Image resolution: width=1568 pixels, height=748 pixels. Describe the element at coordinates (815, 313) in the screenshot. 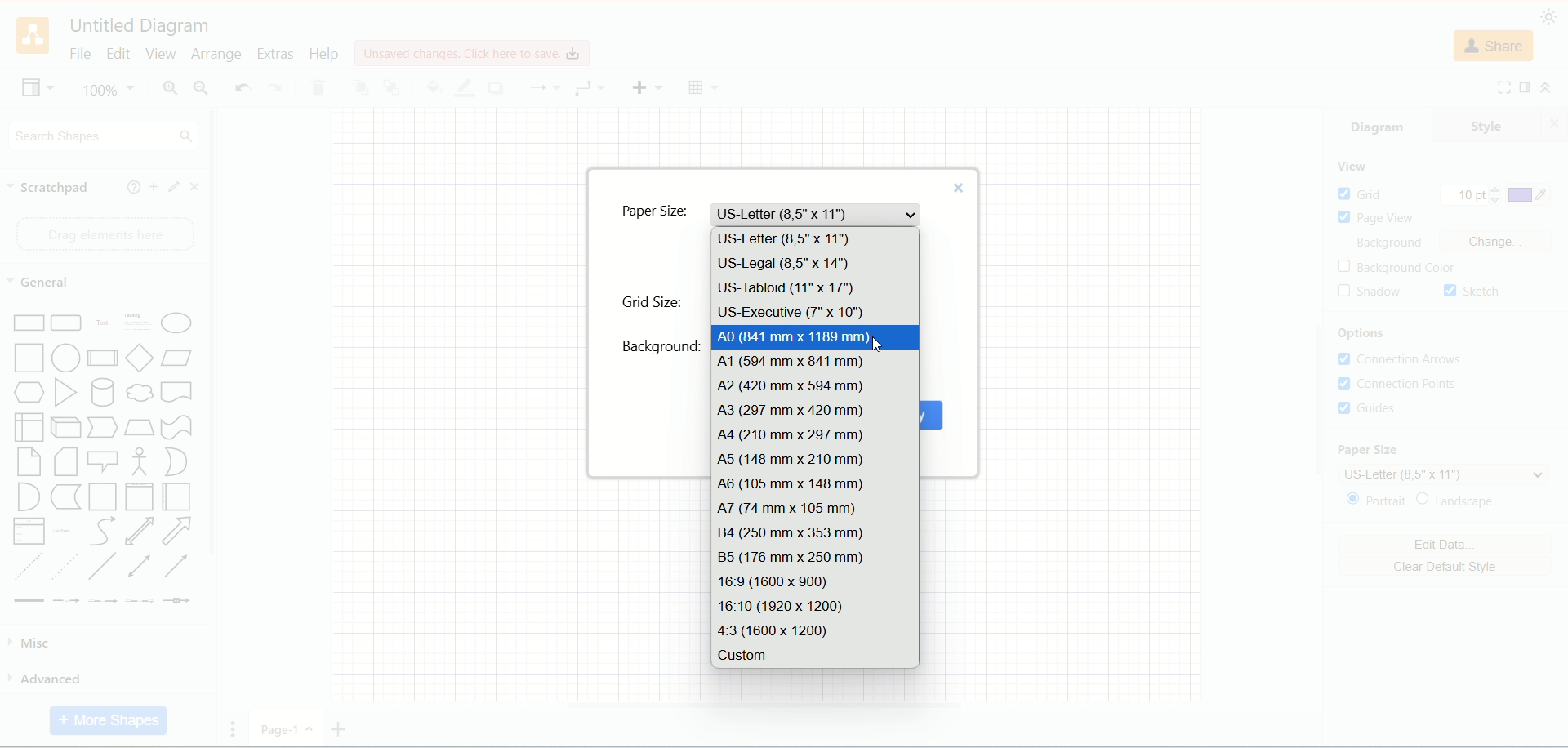

I see `US-Executive` at that location.